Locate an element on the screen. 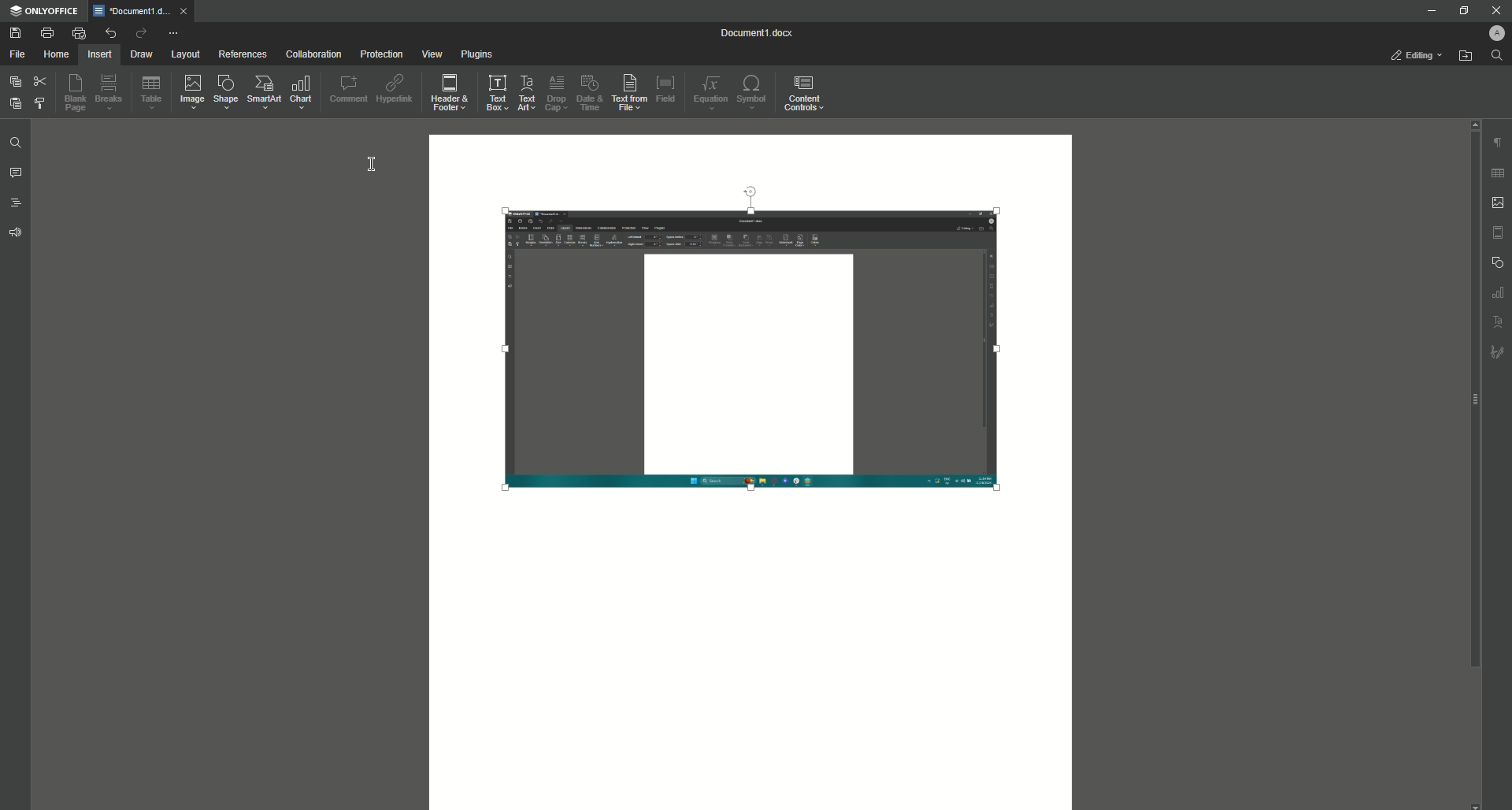  Header and Footer is located at coordinates (450, 92).